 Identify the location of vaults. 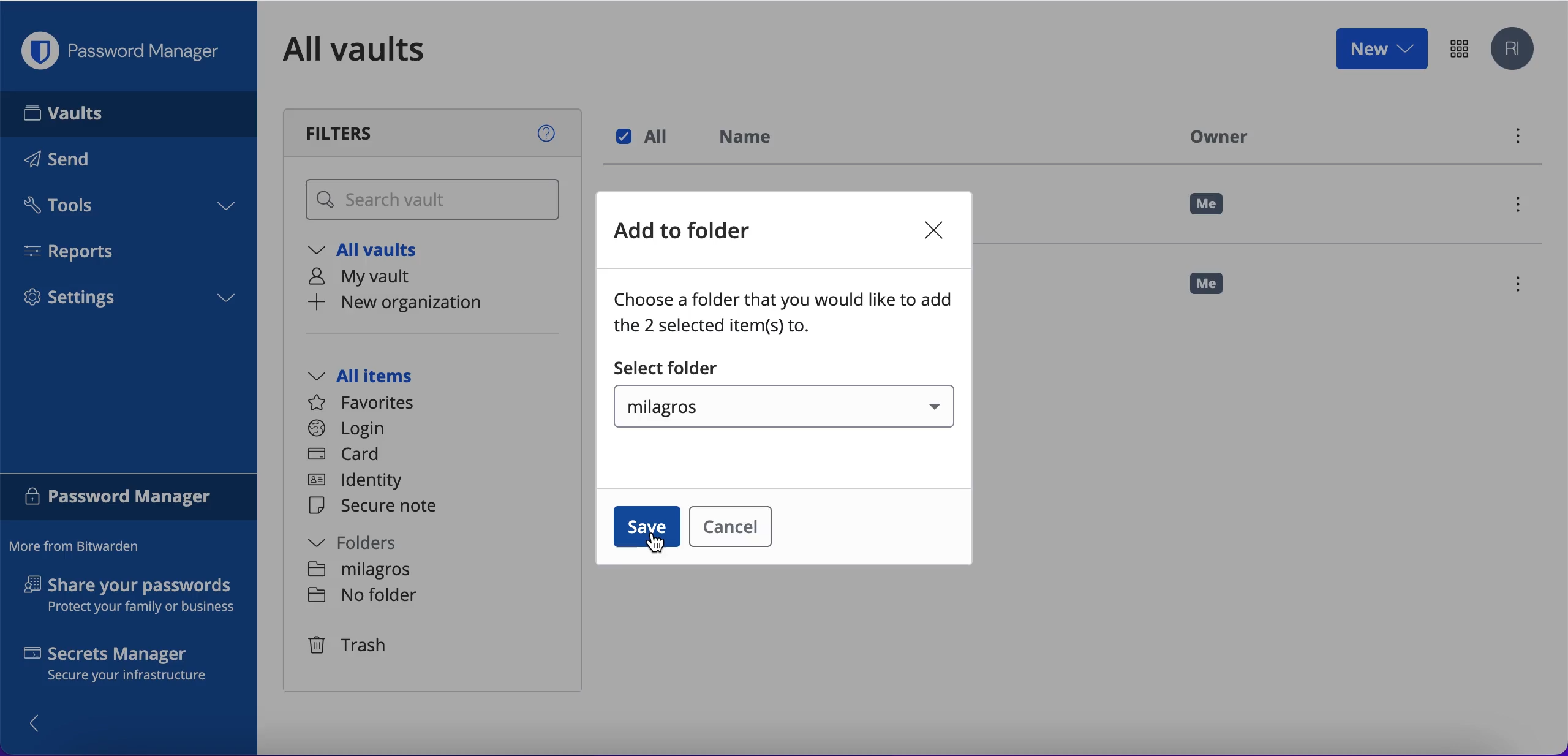
(129, 113).